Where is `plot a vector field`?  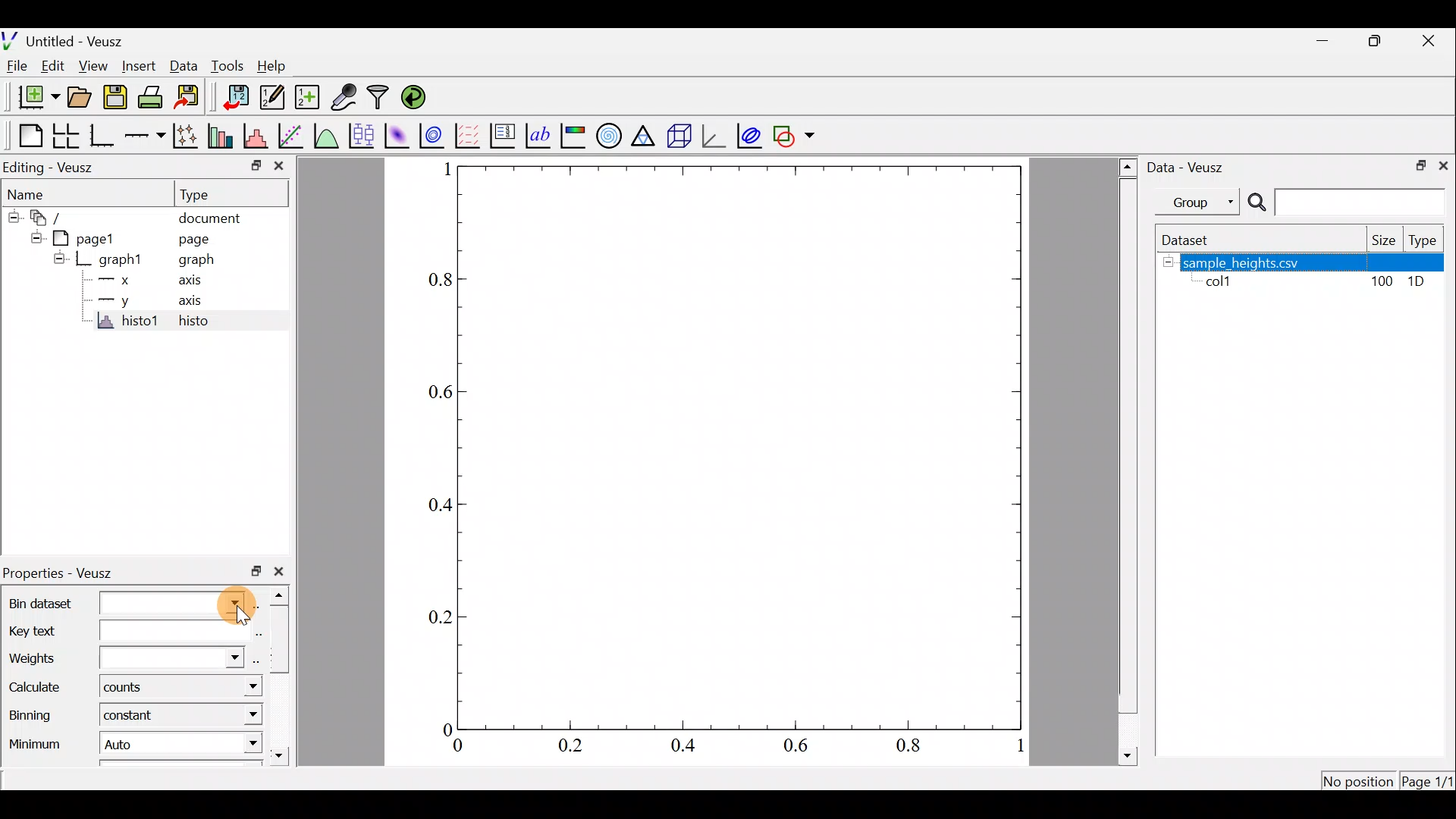 plot a vector field is located at coordinates (469, 136).